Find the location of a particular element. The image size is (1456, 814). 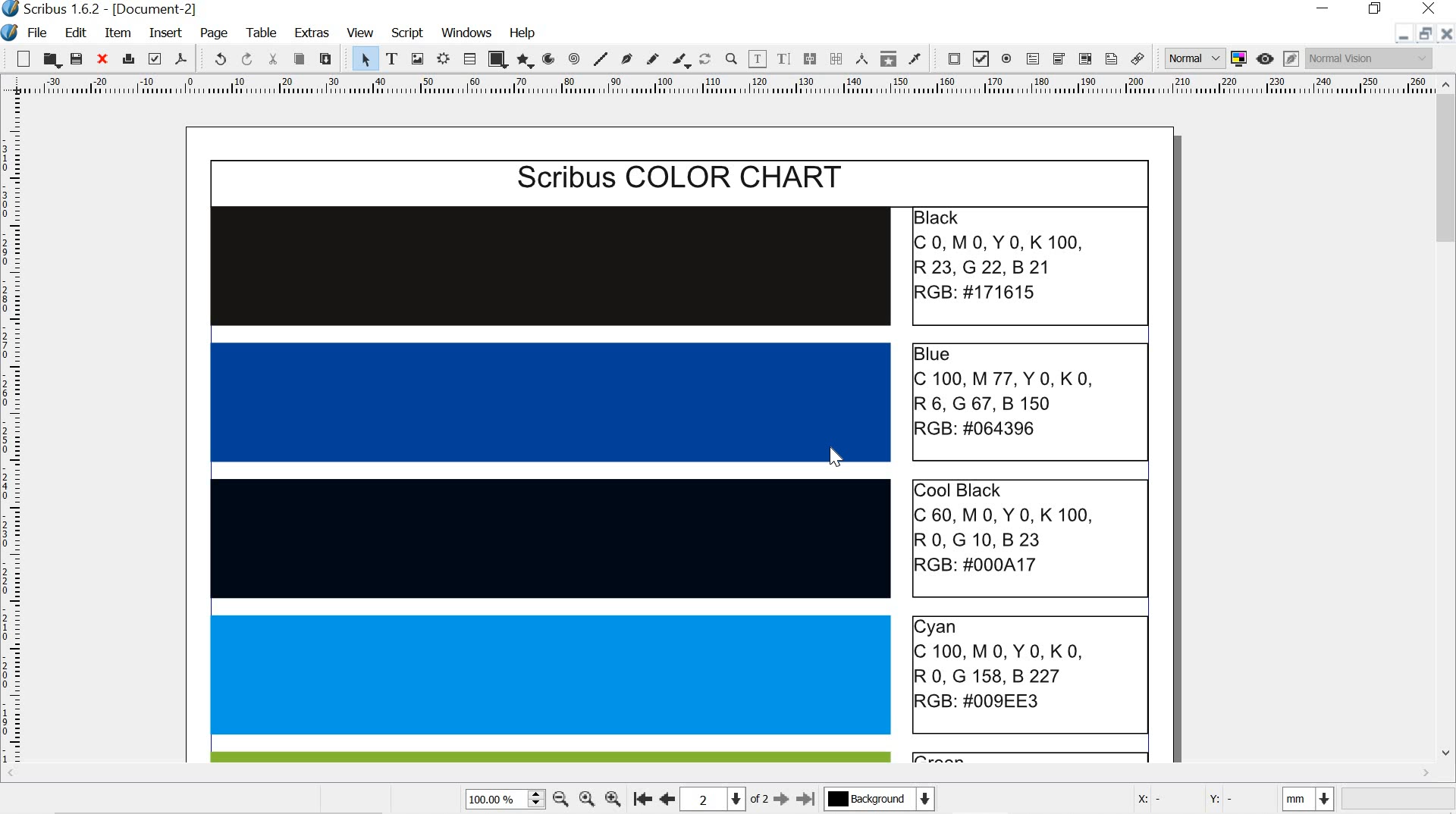

toggle color management system is located at coordinates (1241, 58).